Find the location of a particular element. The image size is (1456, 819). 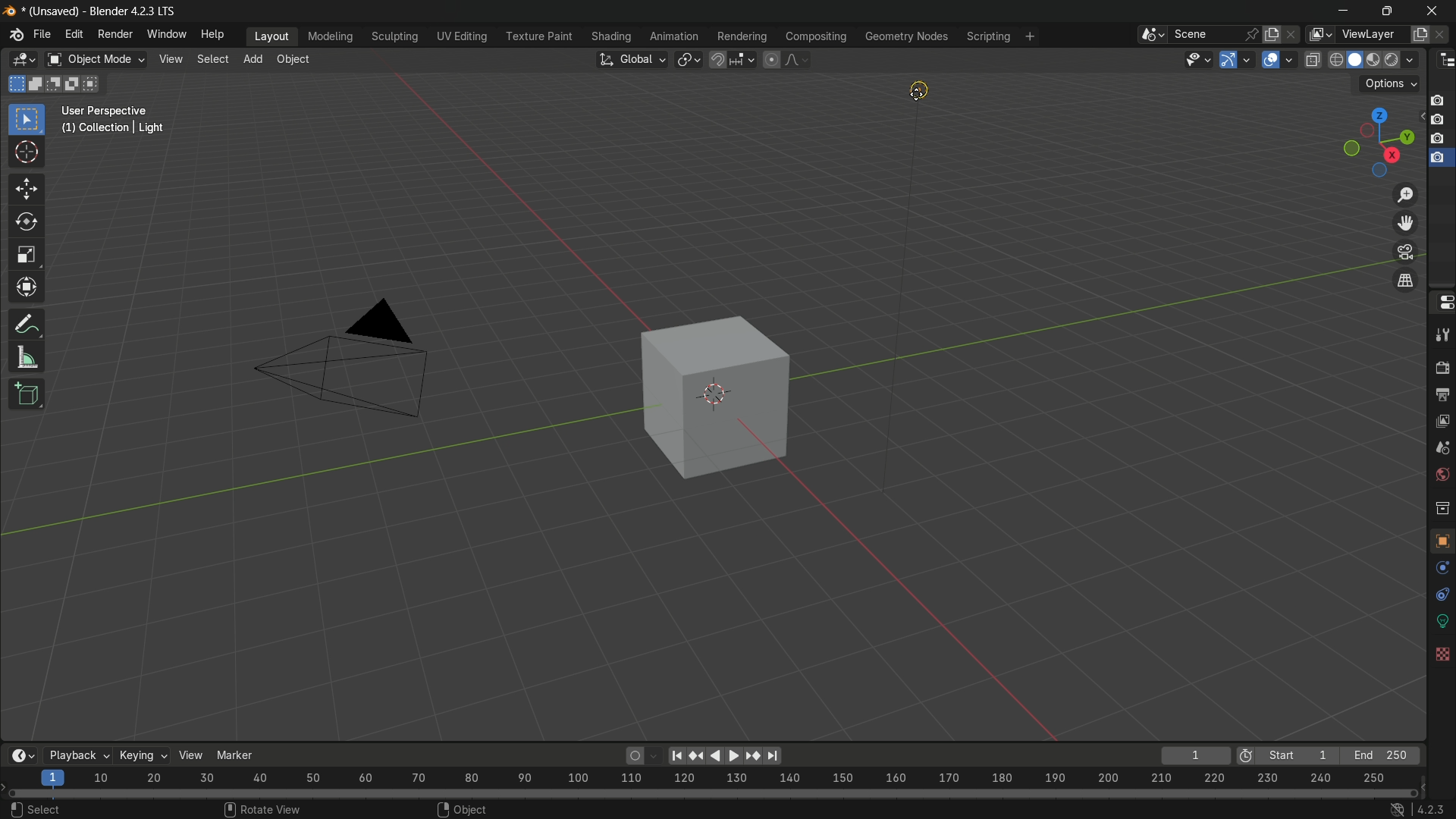

scripting menu is located at coordinates (990, 37).